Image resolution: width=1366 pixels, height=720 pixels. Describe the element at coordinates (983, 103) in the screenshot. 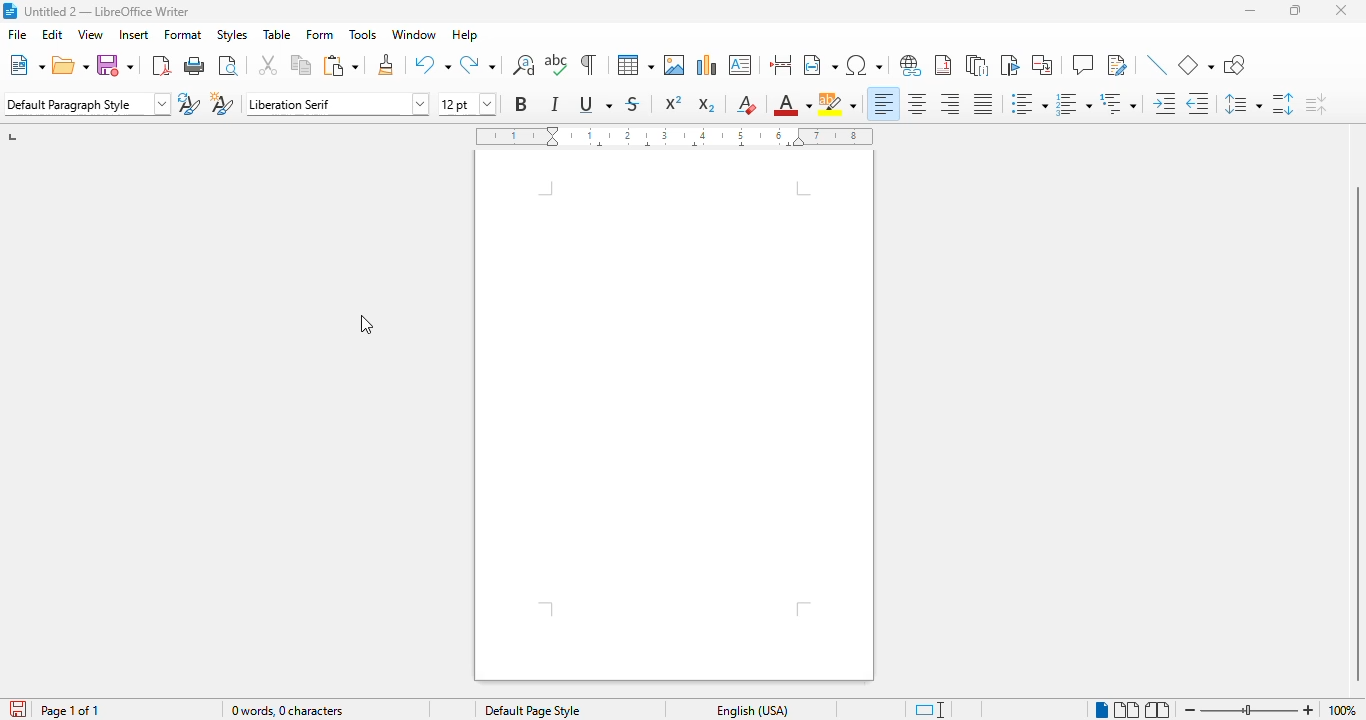

I see `justified` at that location.